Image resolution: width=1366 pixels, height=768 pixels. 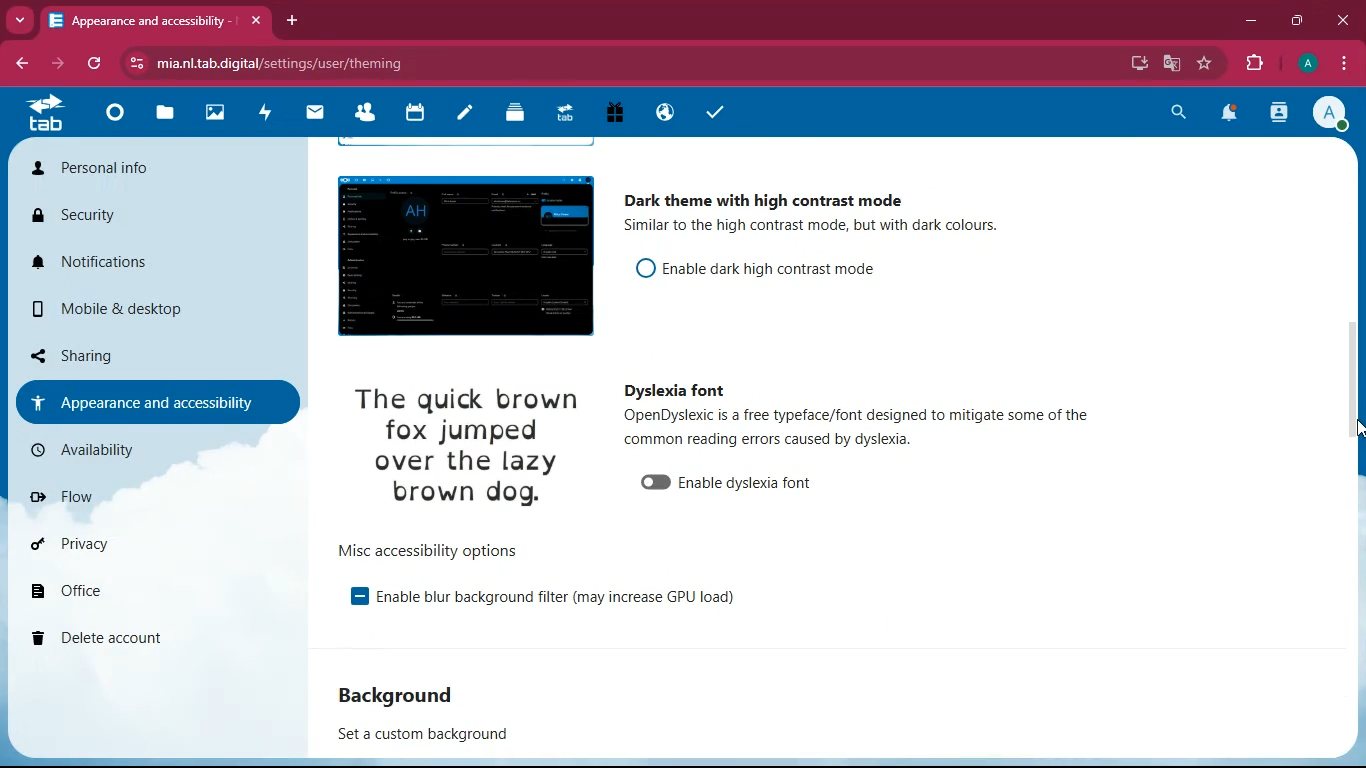 I want to click on dark theme, so click(x=783, y=197).